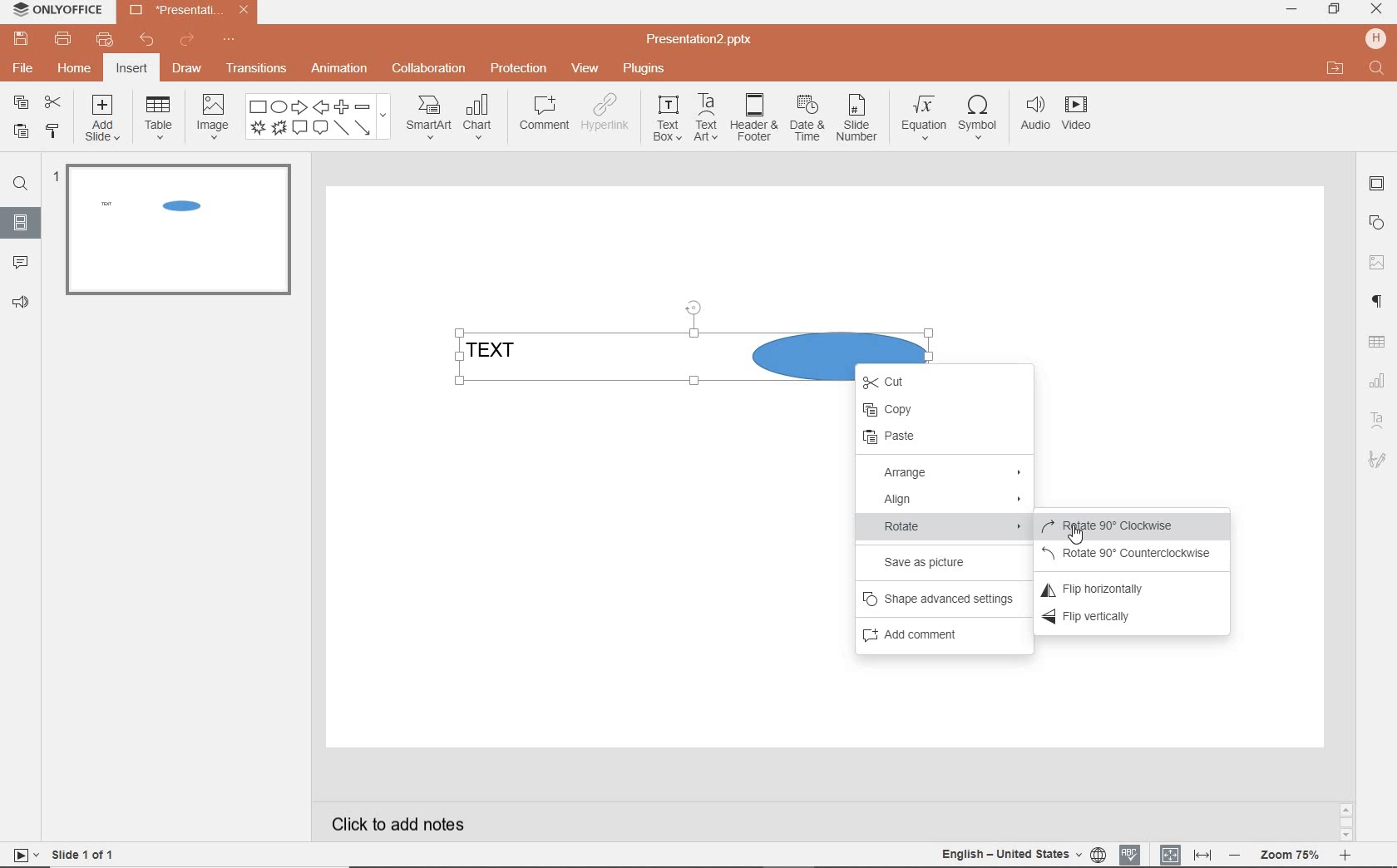  Describe the element at coordinates (939, 439) in the screenshot. I see `paste` at that location.